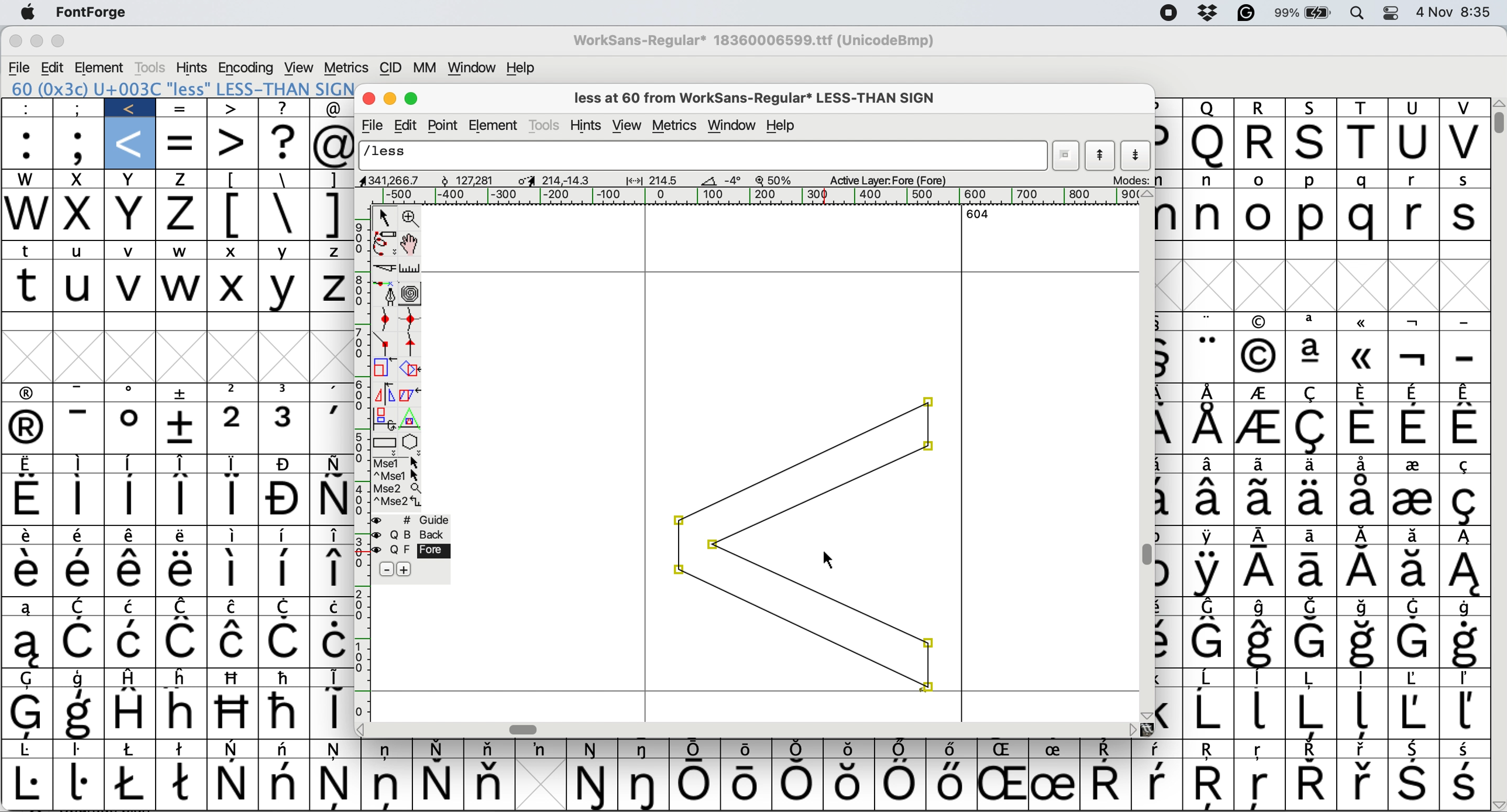 The height and width of the screenshot is (812, 1507). What do you see at coordinates (1261, 215) in the screenshot?
I see `o` at bounding box center [1261, 215].